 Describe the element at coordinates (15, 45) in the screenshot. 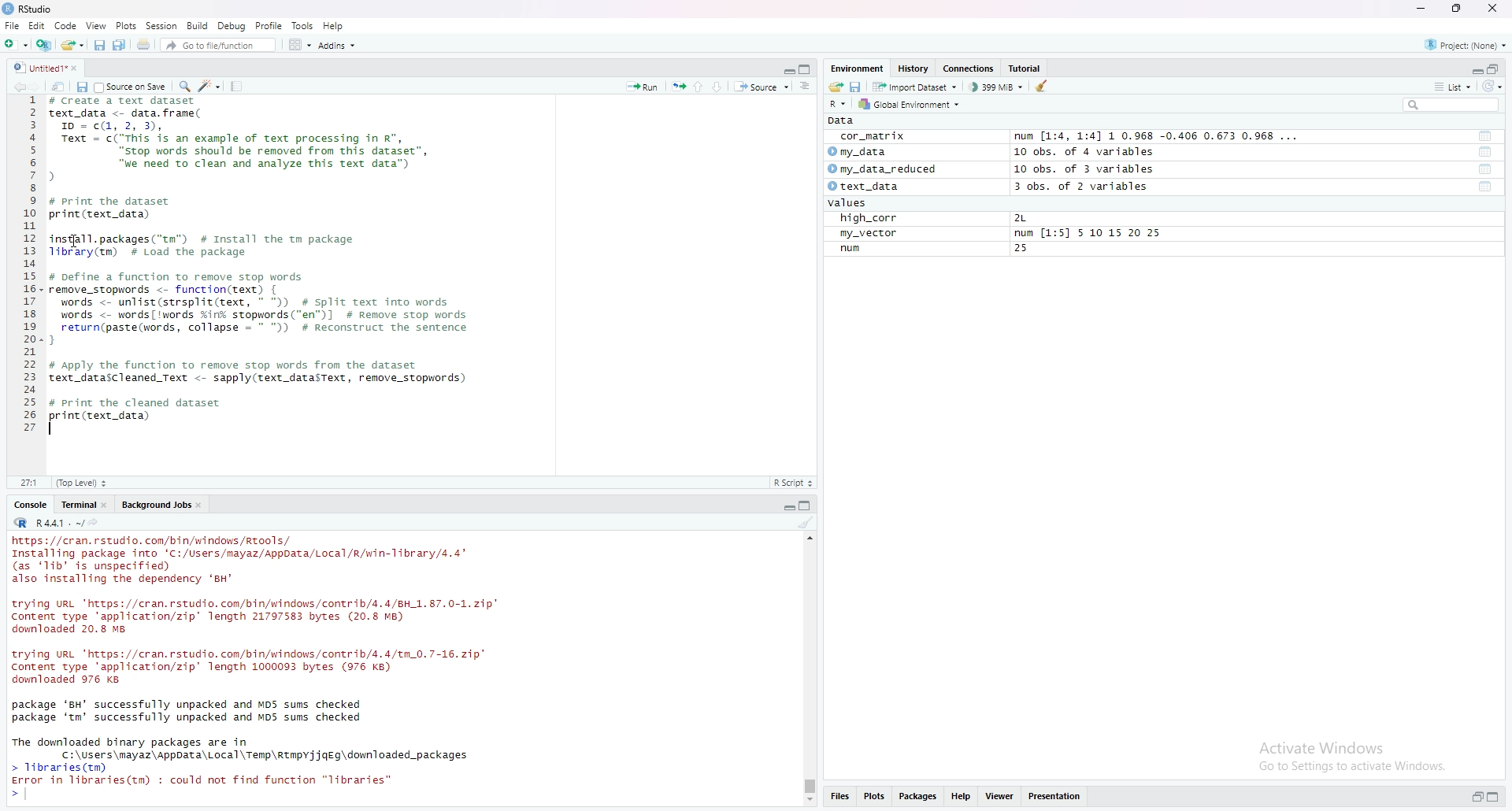

I see `new file` at that location.